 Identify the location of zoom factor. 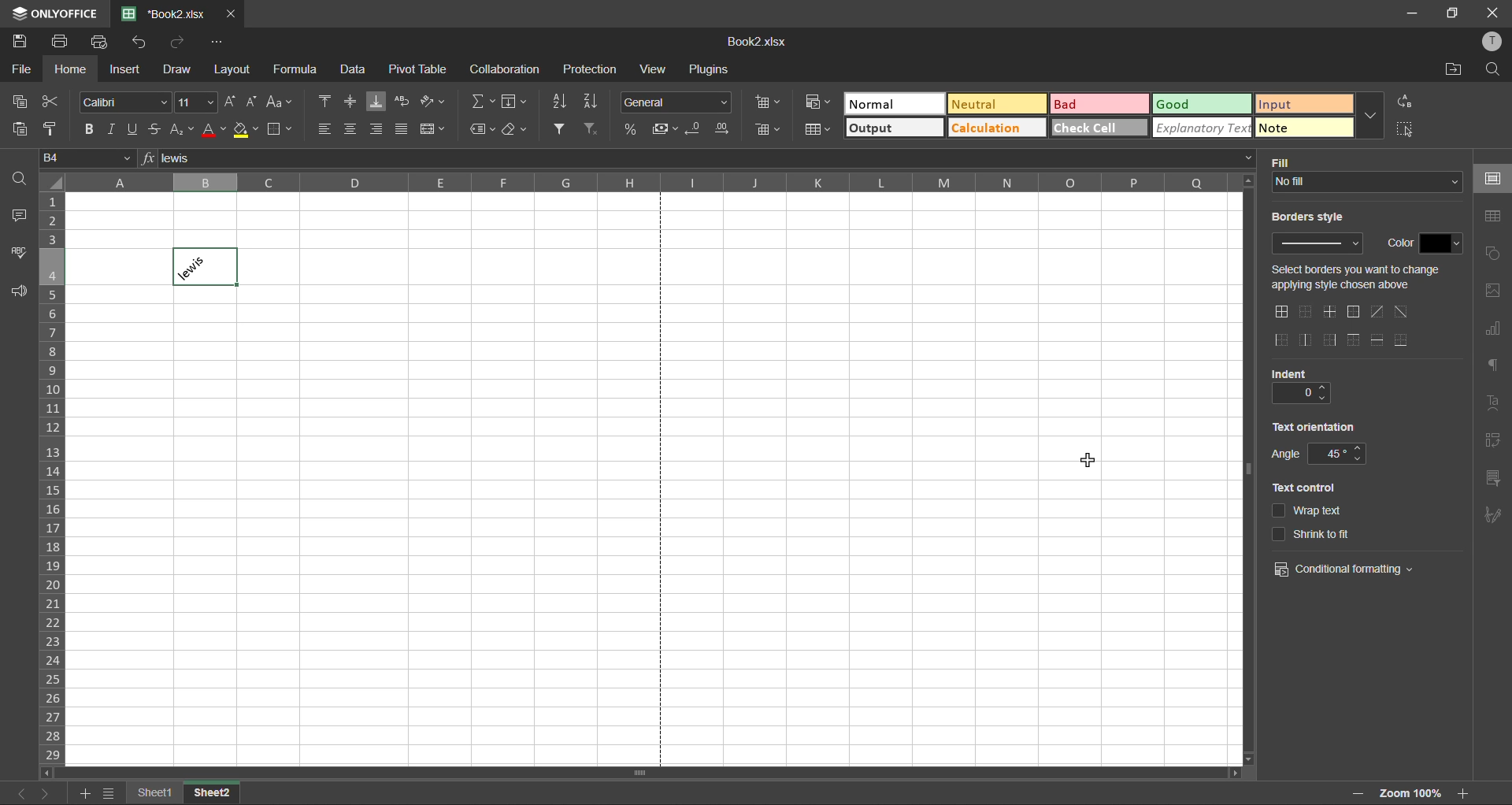
(1414, 792).